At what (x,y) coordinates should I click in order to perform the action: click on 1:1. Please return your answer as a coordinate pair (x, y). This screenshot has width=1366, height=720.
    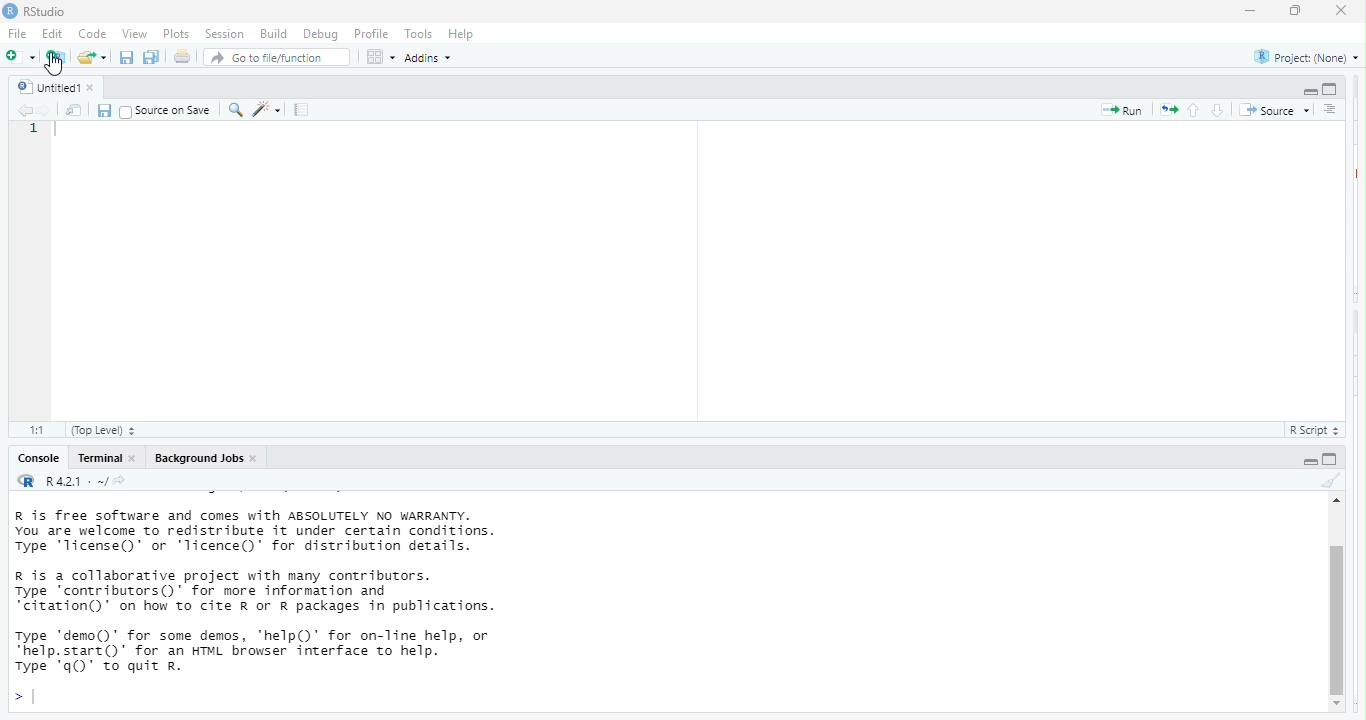
    Looking at the image, I should click on (34, 429).